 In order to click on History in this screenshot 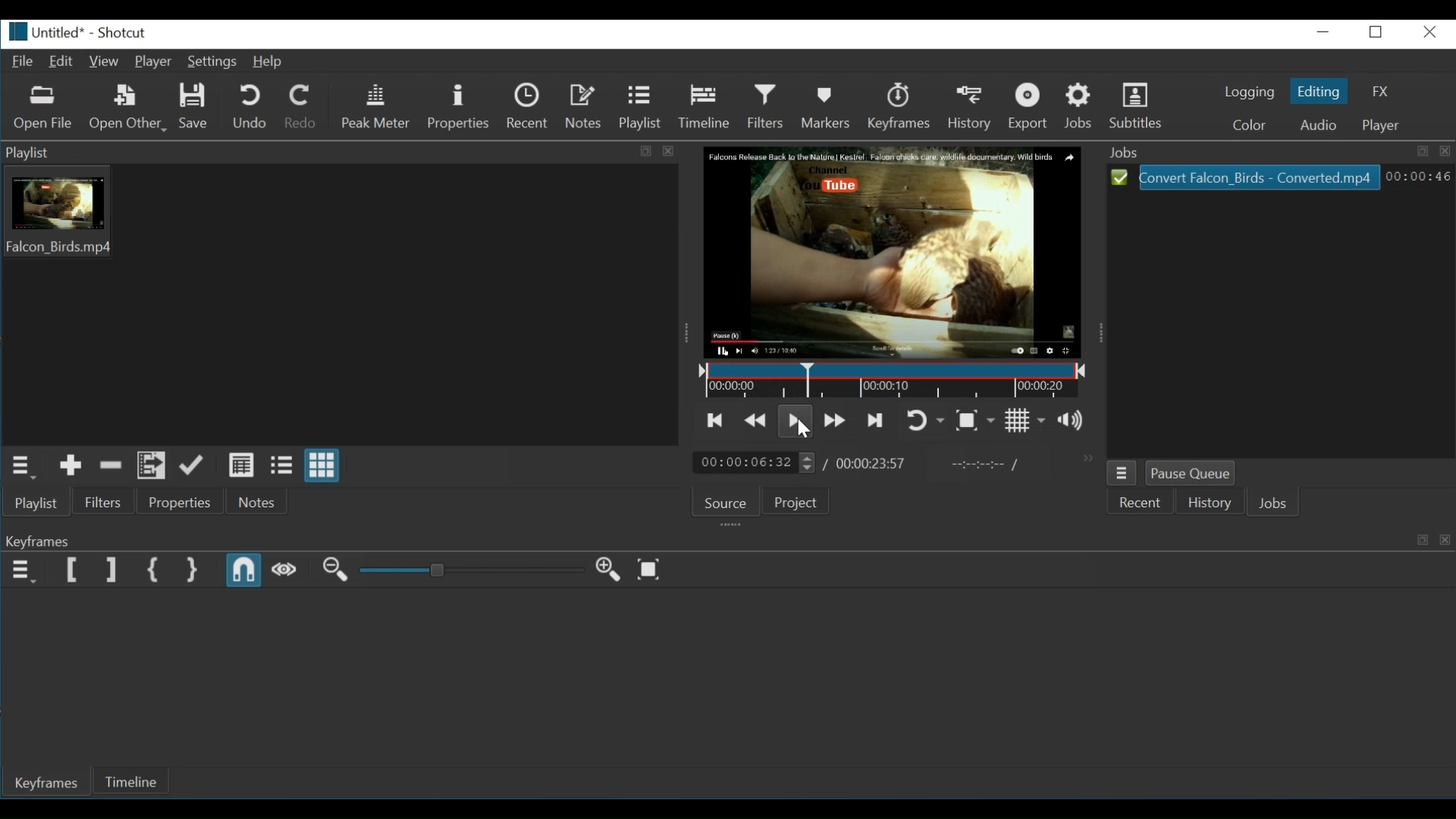, I will do `click(970, 107)`.